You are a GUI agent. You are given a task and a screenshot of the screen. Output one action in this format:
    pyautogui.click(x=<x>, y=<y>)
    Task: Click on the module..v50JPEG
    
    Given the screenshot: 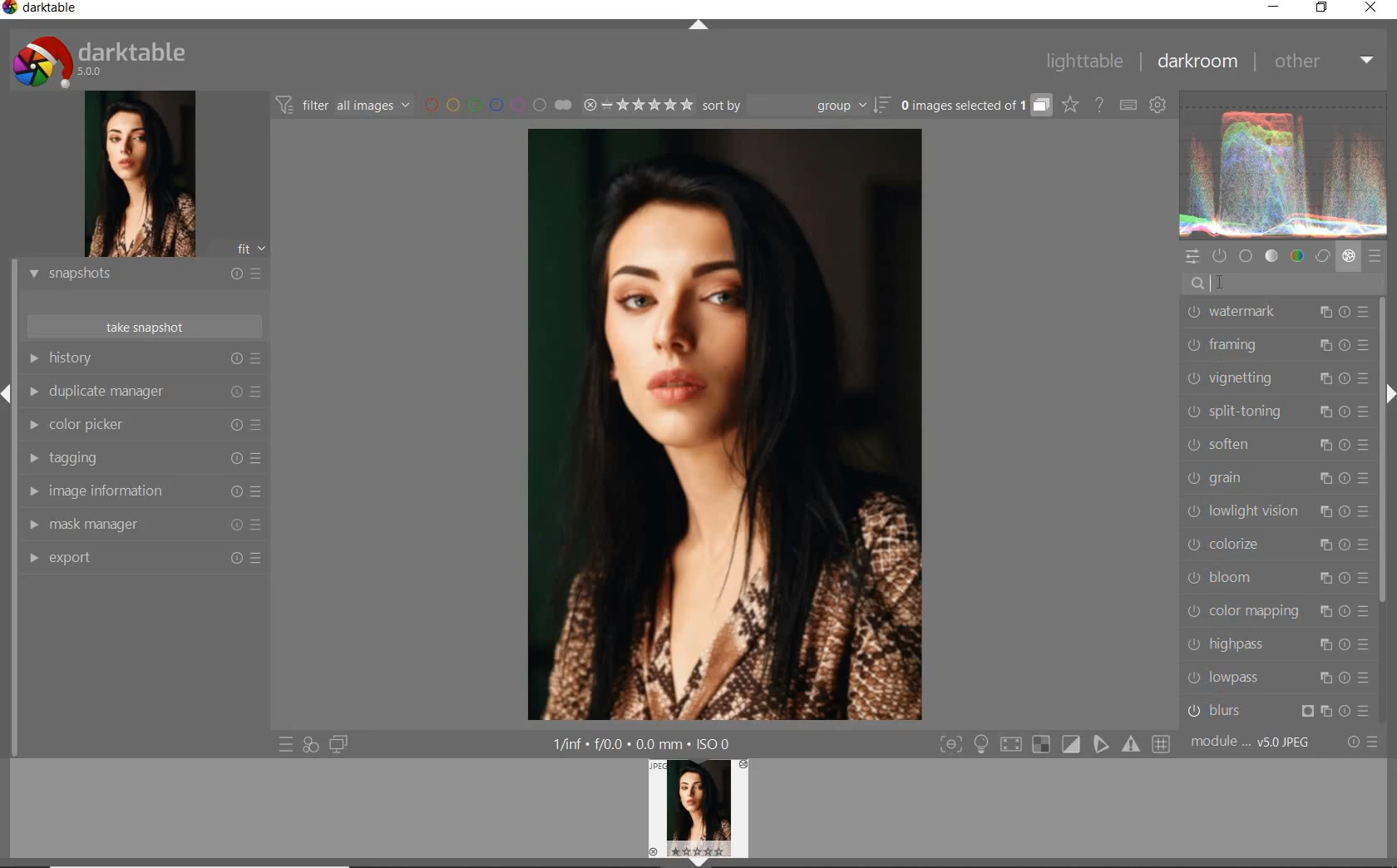 What is the action you would take?
    pyautogui.click(x=1251, y=741)
    